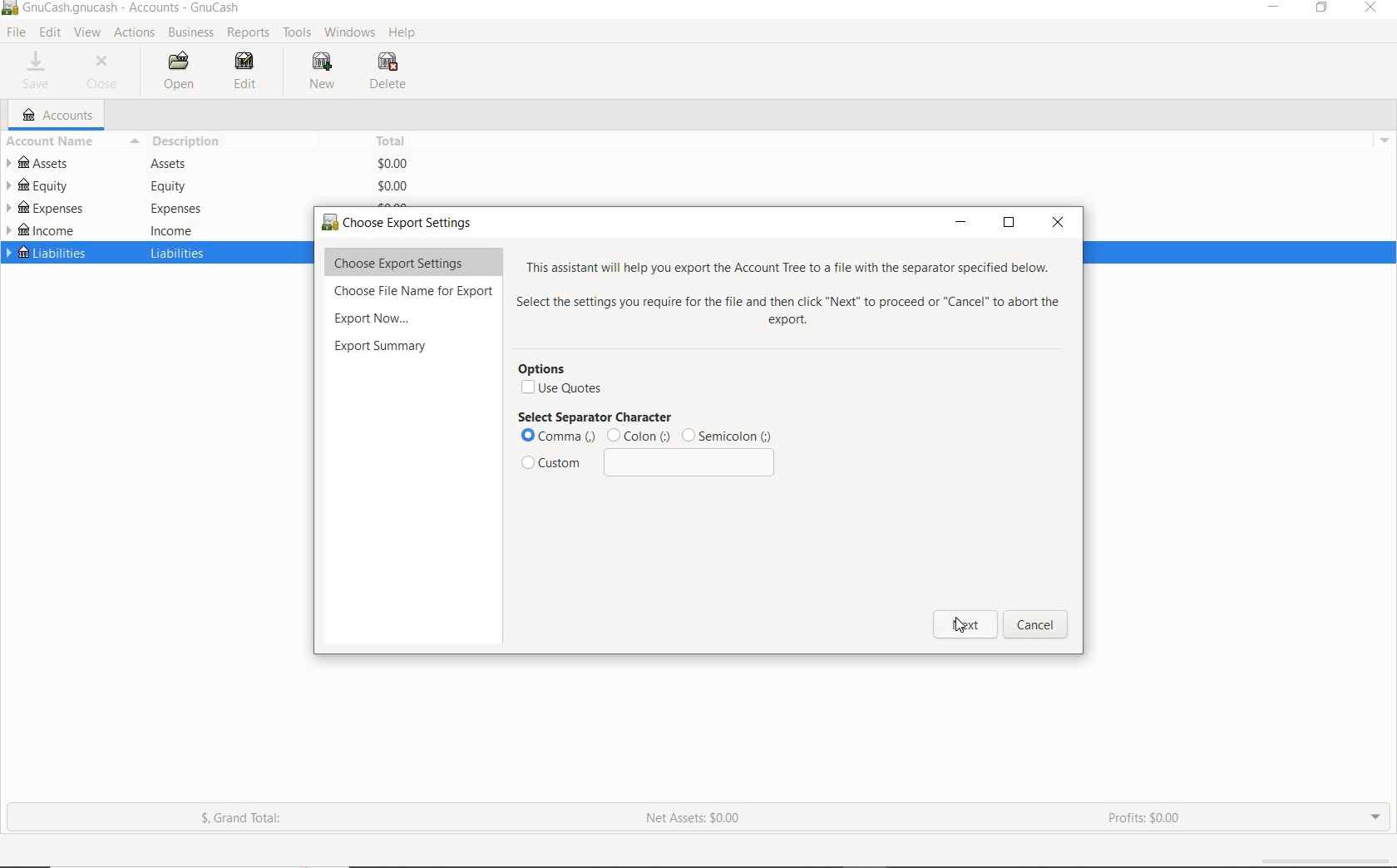 This screenshot has width=1397, height=868. What do you see at coordinates (49, 143) in the screenshot?
I see `ACCOUNT NAME` at bounding box center [49, 143].